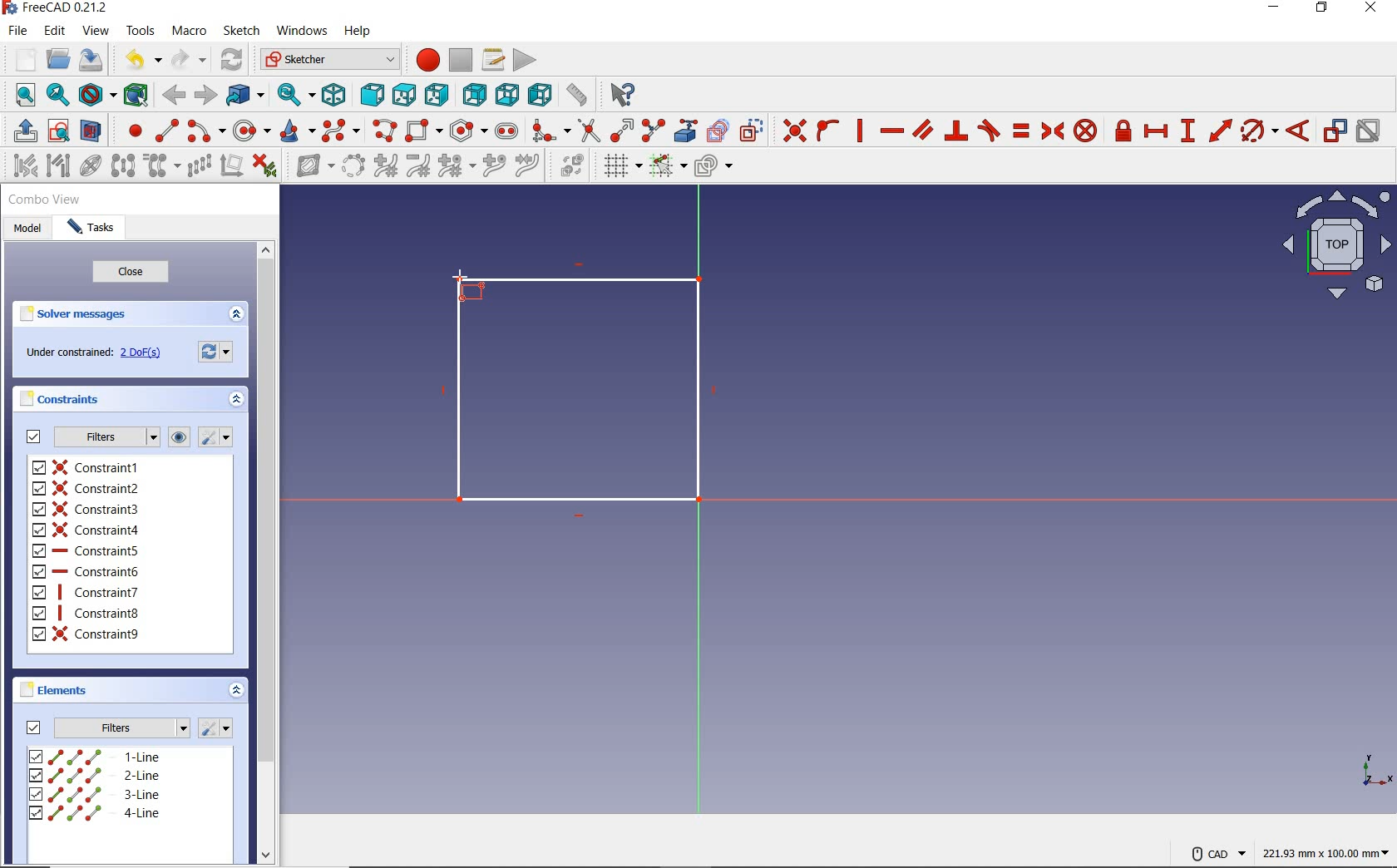 The image size is (1397, 868). What do you see at coordinates (252, 131) in the screenshot?
I see `create circle` at bounding box center [252, 131].